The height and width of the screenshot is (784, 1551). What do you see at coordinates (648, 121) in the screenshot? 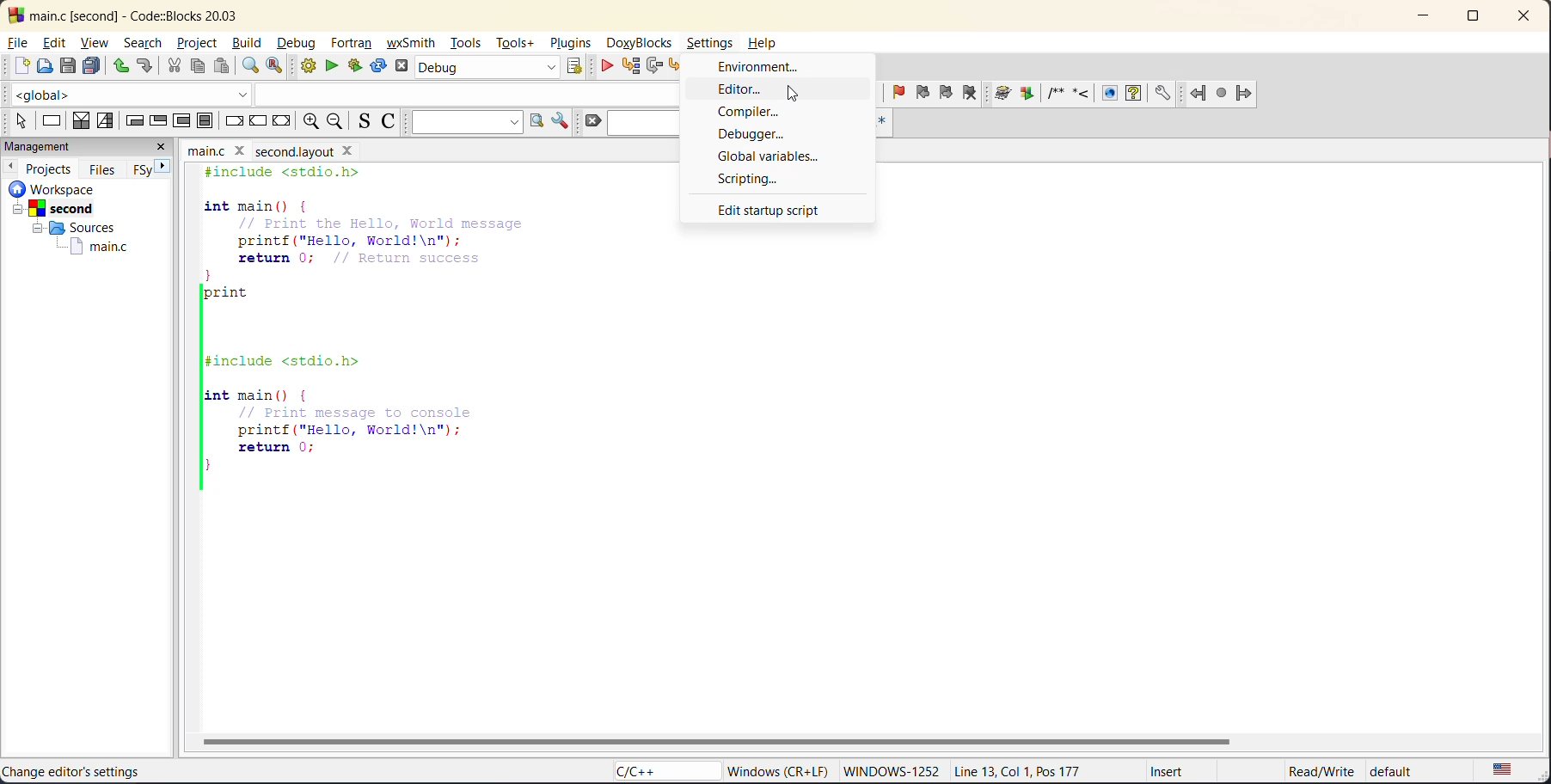
I see `search` at bounding box center [648, 121].